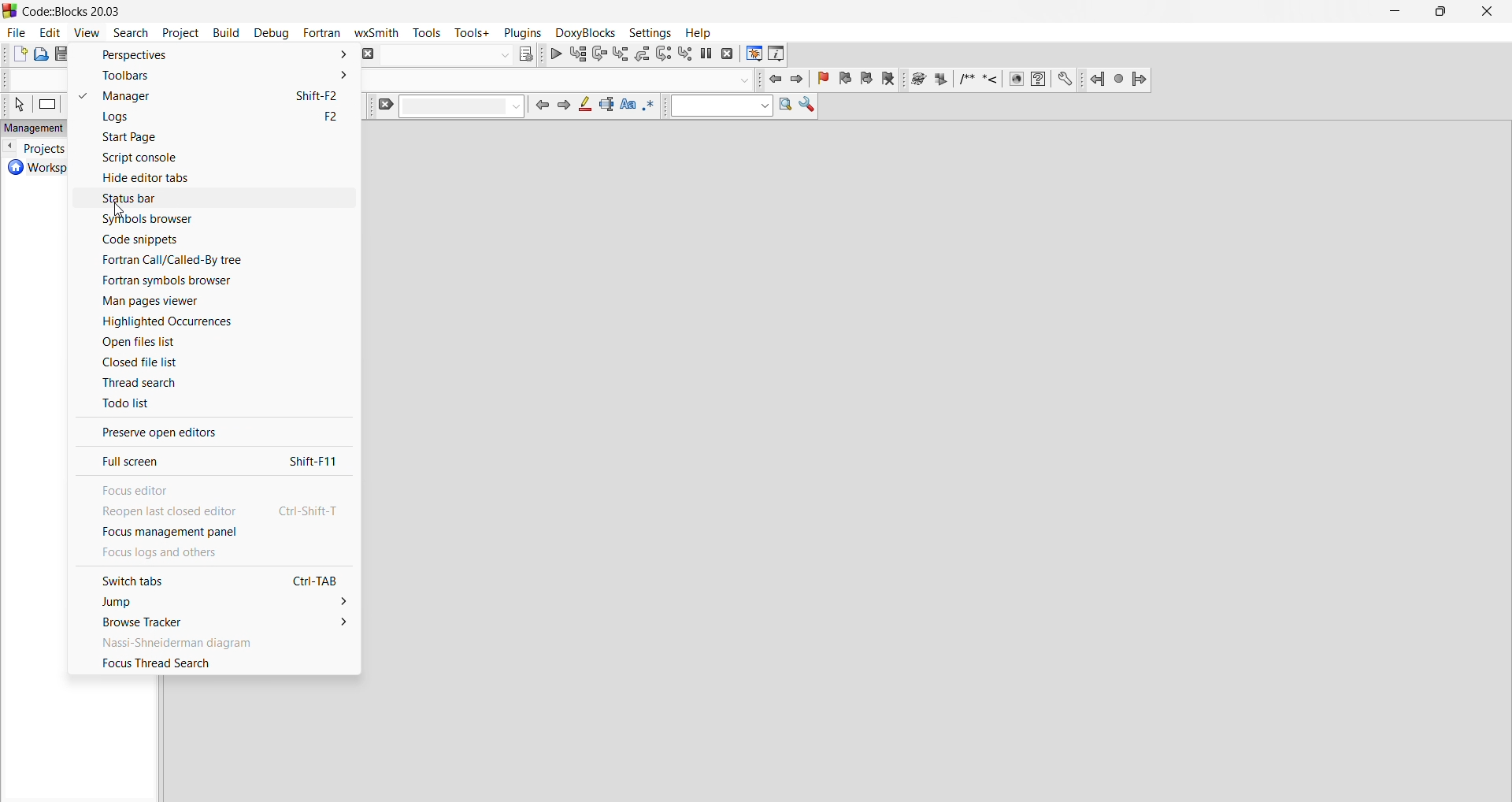 The width and height of the screenshot is (1512, 802). What do you see at coordinates (214, 176) in the screenshot?
I see `hide editor tabs` at bounding box center [214, 176].